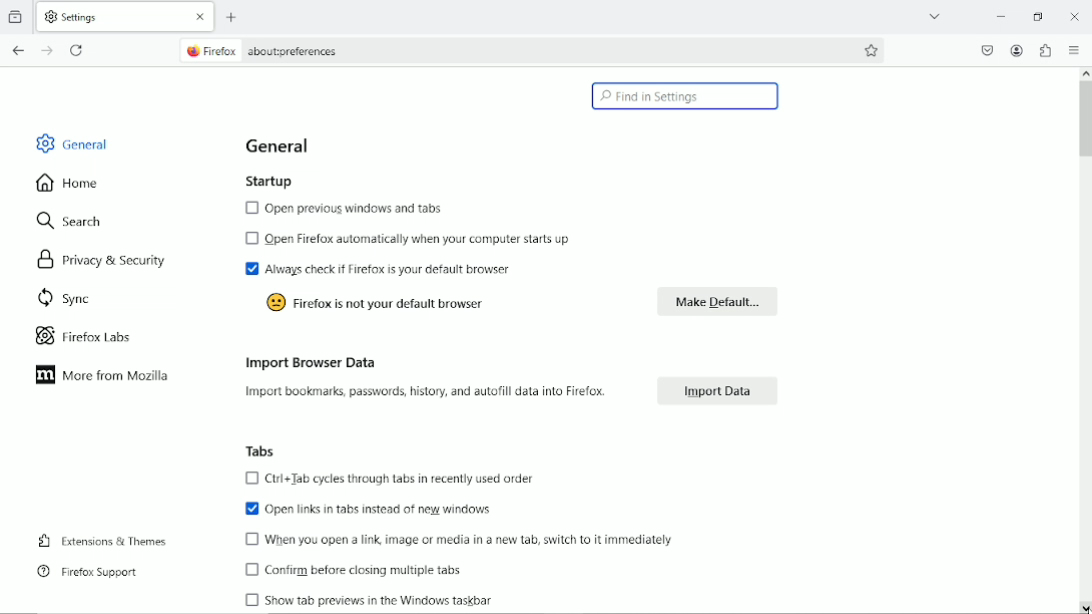  What do you see at coordinates (259, 450) in the screenshot?
I see `Tabs` at bounding box center [259, 450].